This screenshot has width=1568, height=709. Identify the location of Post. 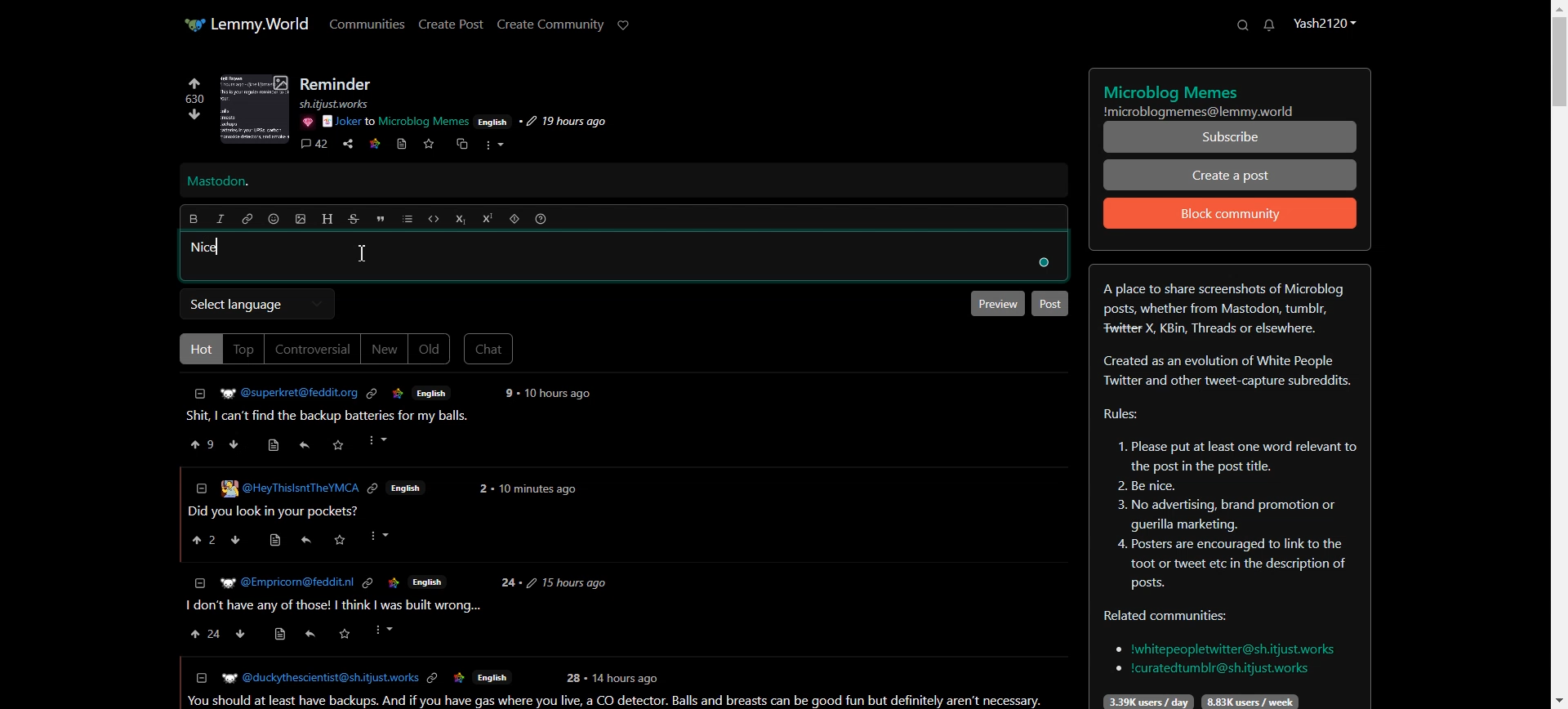
(335, 417).